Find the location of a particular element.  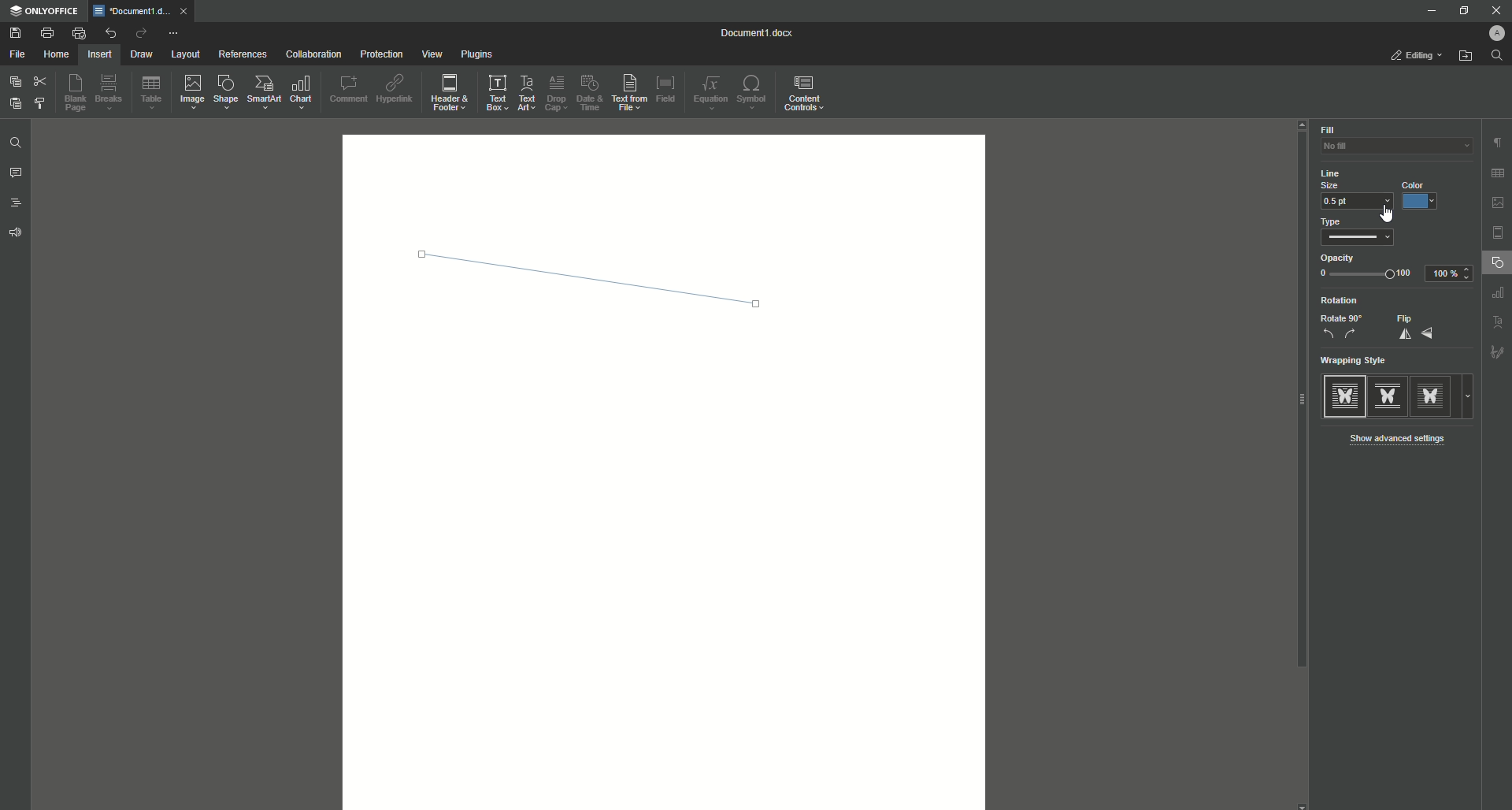

grid is located at coordinates (1496, 170).